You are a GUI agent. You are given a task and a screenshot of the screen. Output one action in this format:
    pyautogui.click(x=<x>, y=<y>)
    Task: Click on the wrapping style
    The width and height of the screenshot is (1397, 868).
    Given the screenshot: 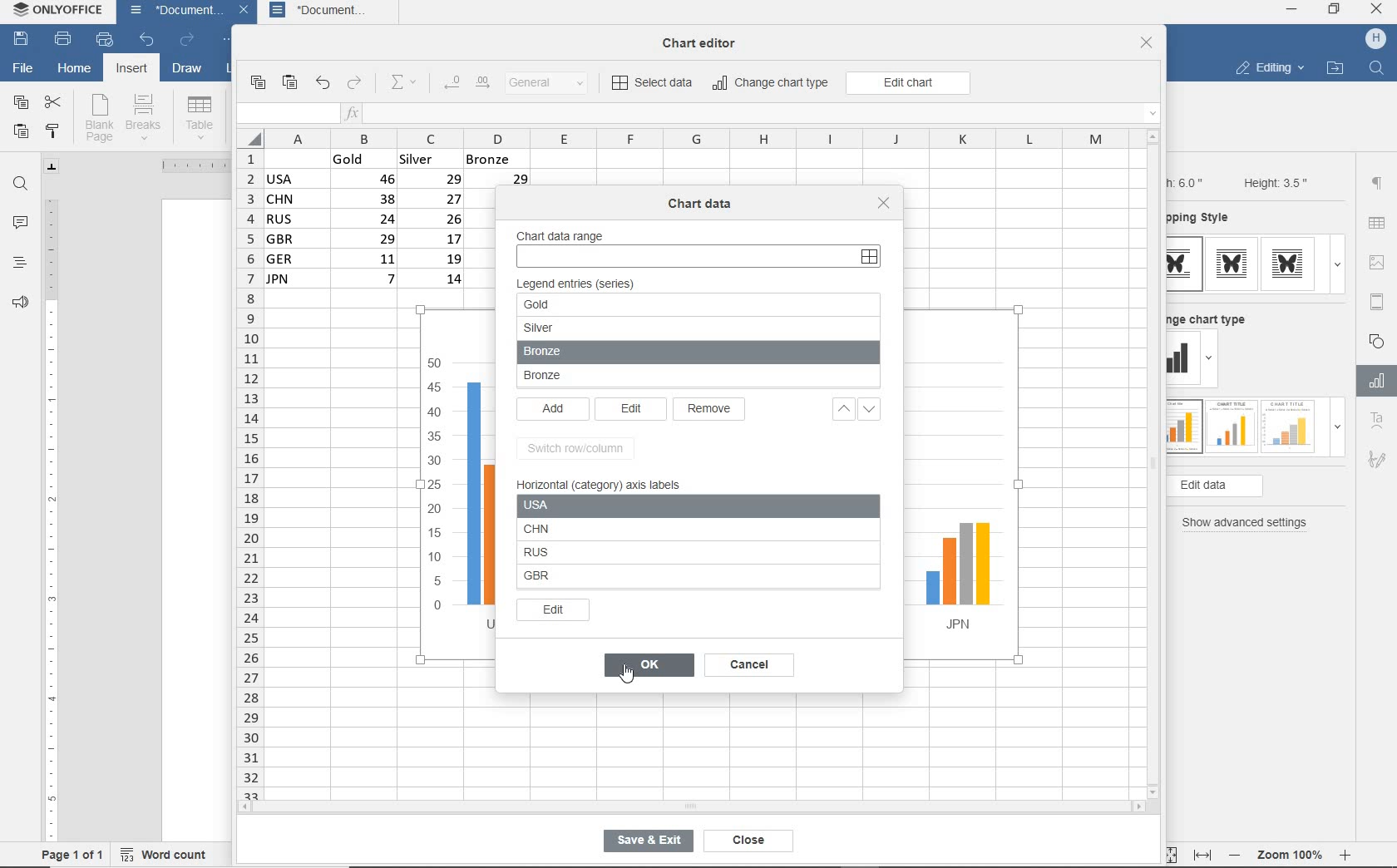 What is the action you would take?
    pyautogui.click(x=1205, y=219)
    